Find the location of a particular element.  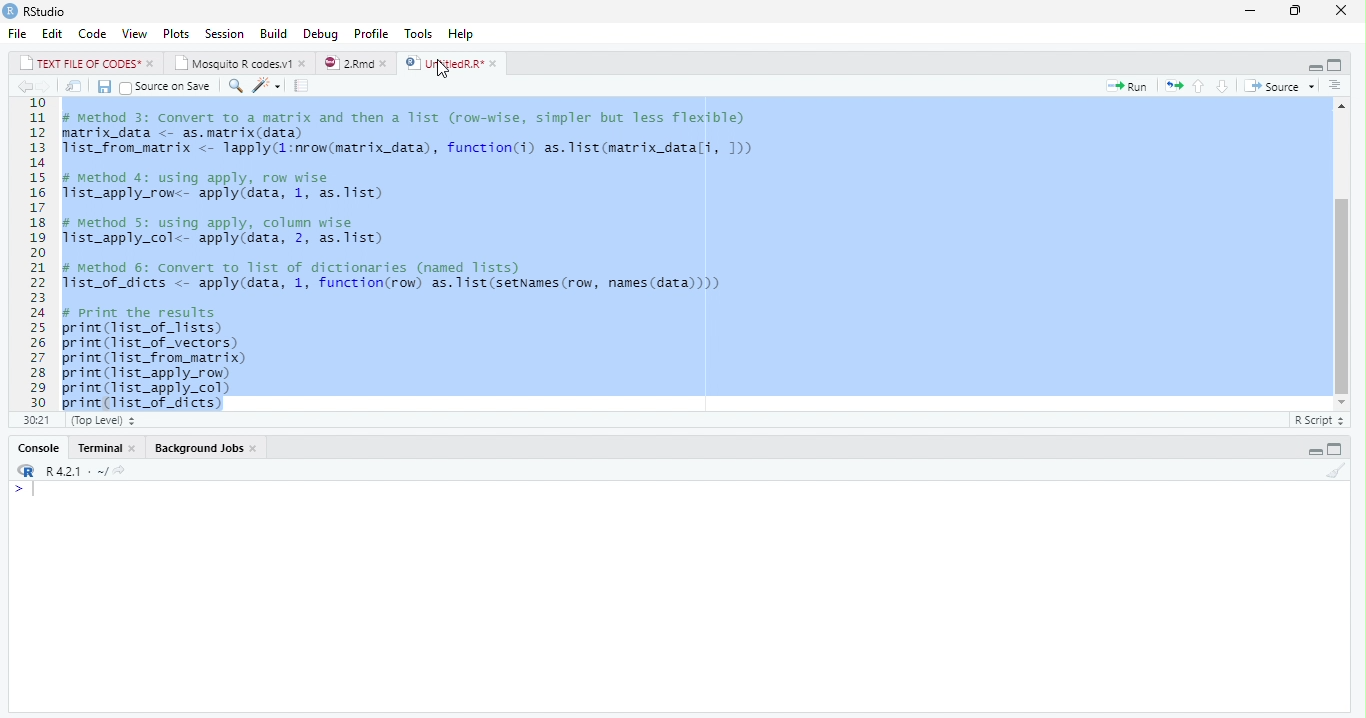

move down is located at coordinates (1342, 399).